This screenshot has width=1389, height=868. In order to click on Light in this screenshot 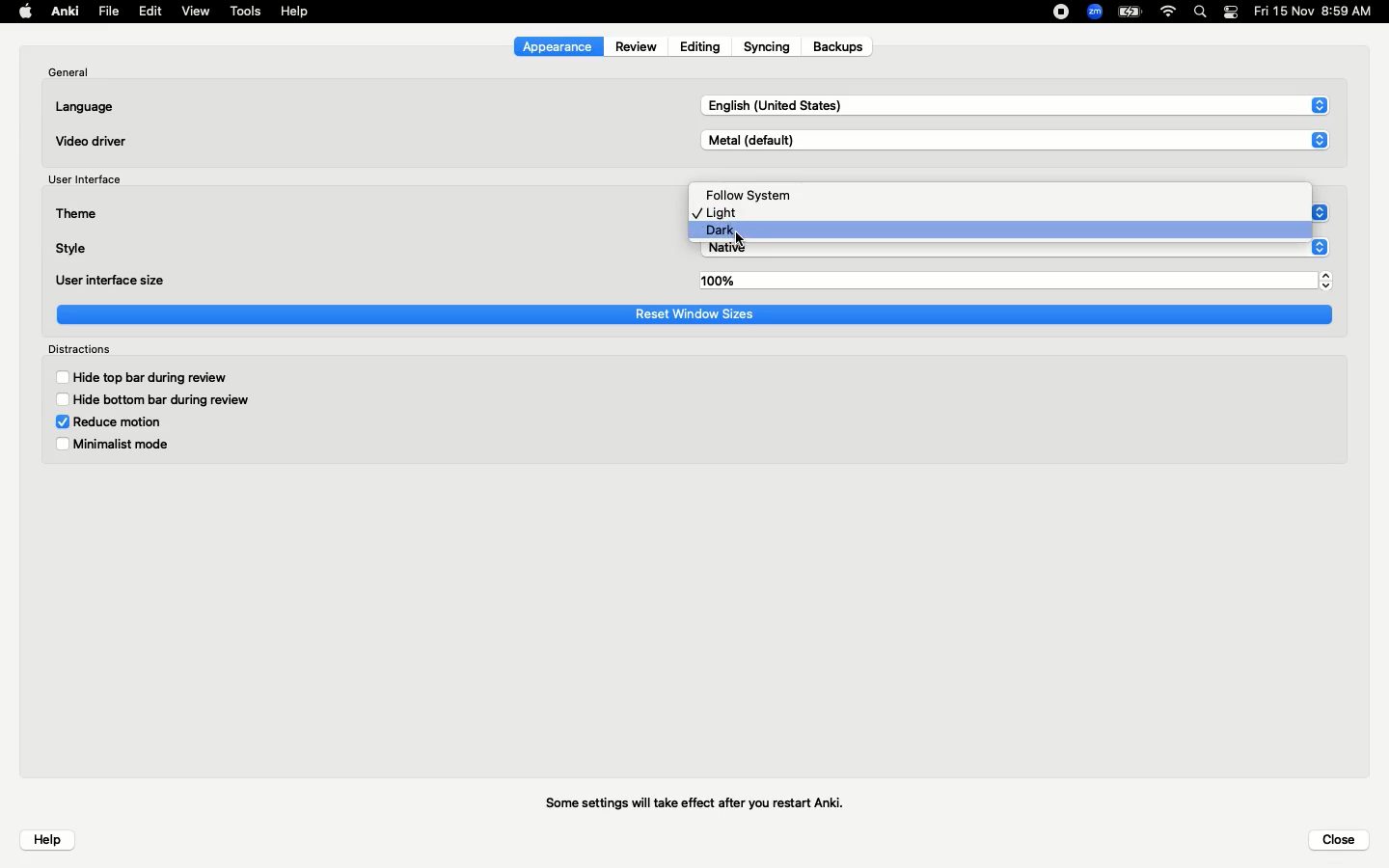, I will do `click(722, 214)`.